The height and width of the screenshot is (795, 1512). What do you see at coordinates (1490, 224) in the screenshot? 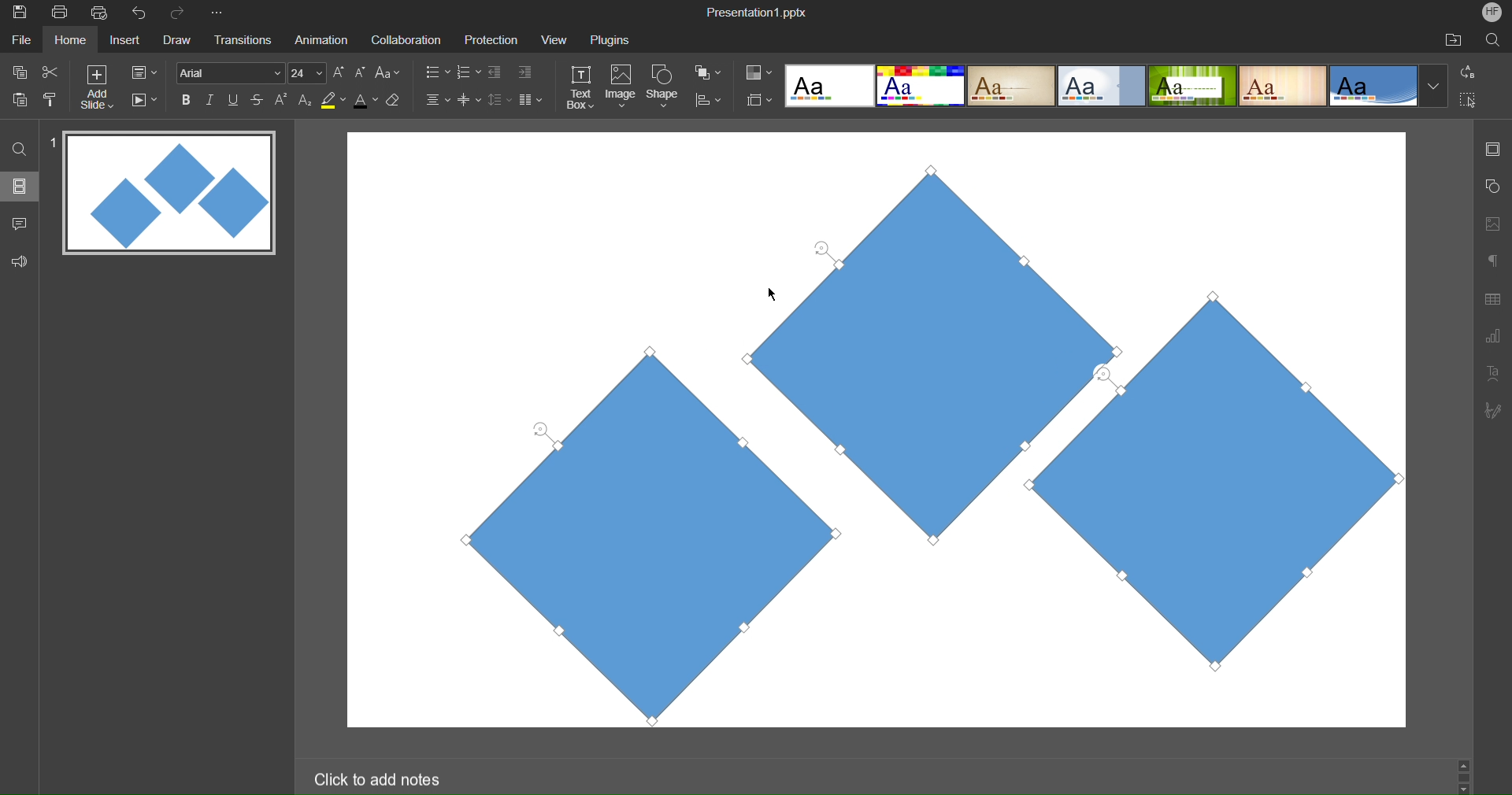
I see `Image Settings` at bounding box center [1490, 224].